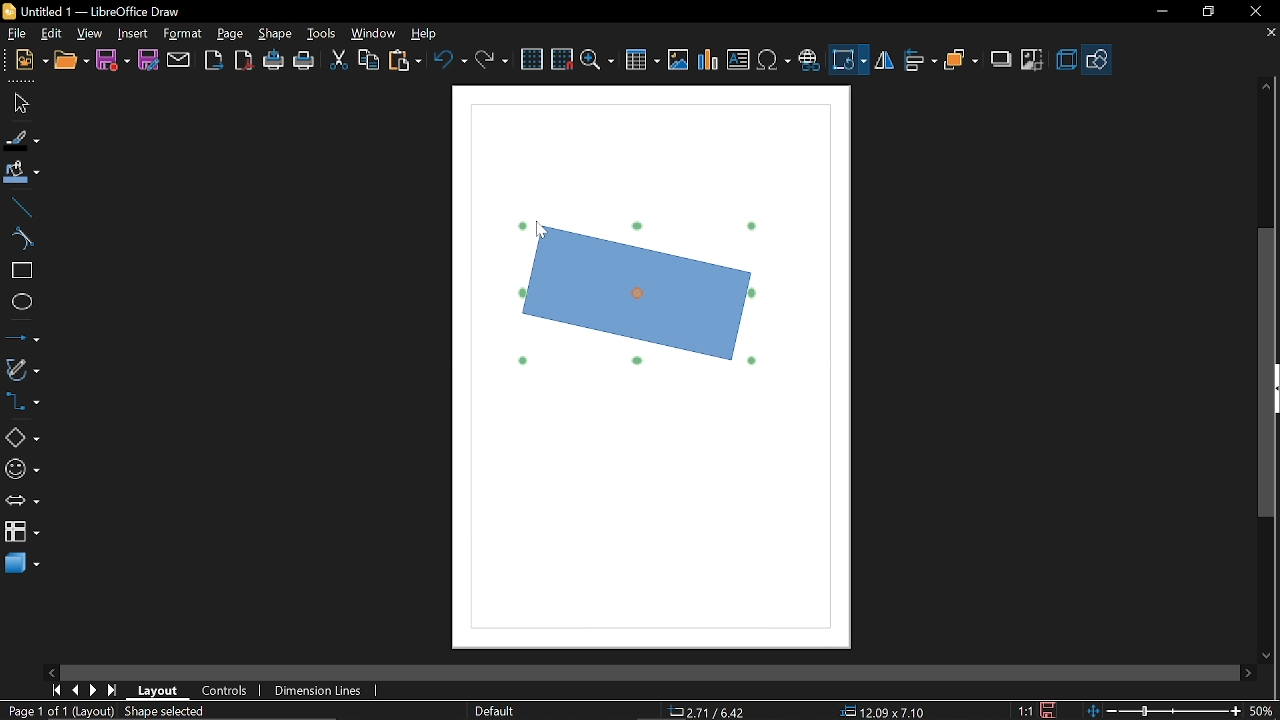  Describe the element at coordinates (1268, 86) in the screenshot. I see `Move up` at that location.